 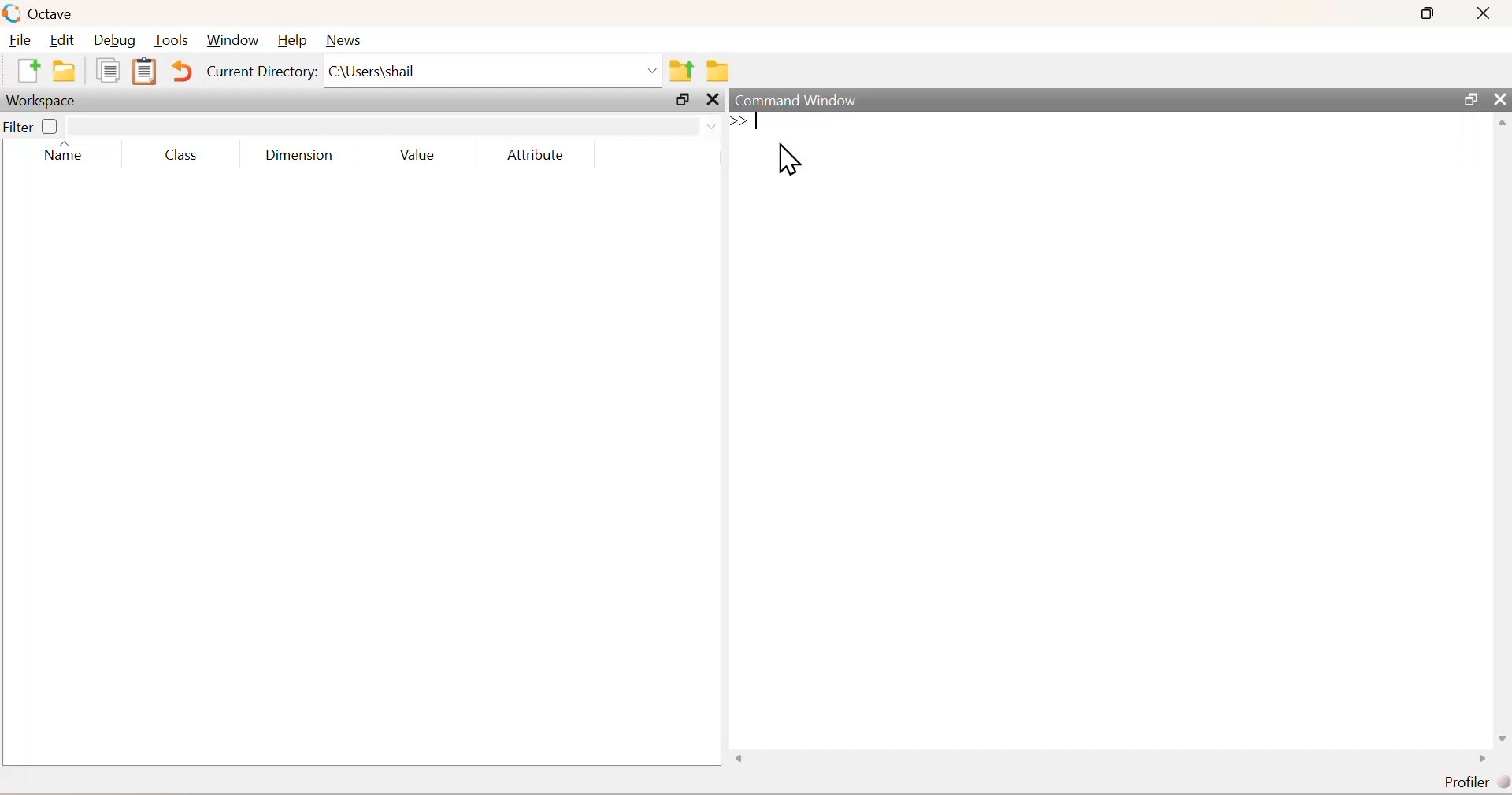 I want to click on Undo, so click(x=181, y=72).